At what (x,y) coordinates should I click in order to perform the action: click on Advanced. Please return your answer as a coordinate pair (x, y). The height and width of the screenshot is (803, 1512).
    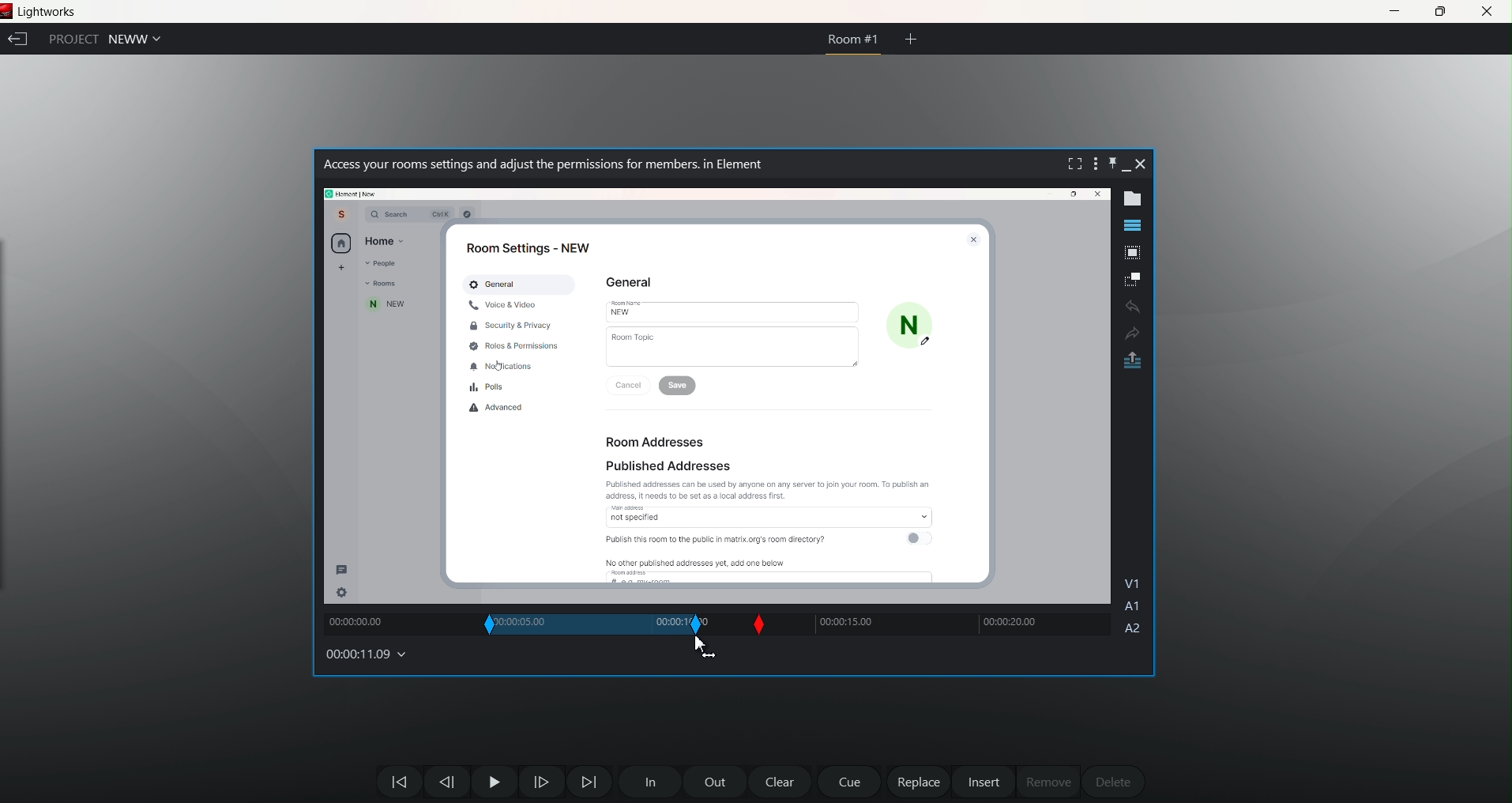
    Looking at the image, I should click on (500, 407).